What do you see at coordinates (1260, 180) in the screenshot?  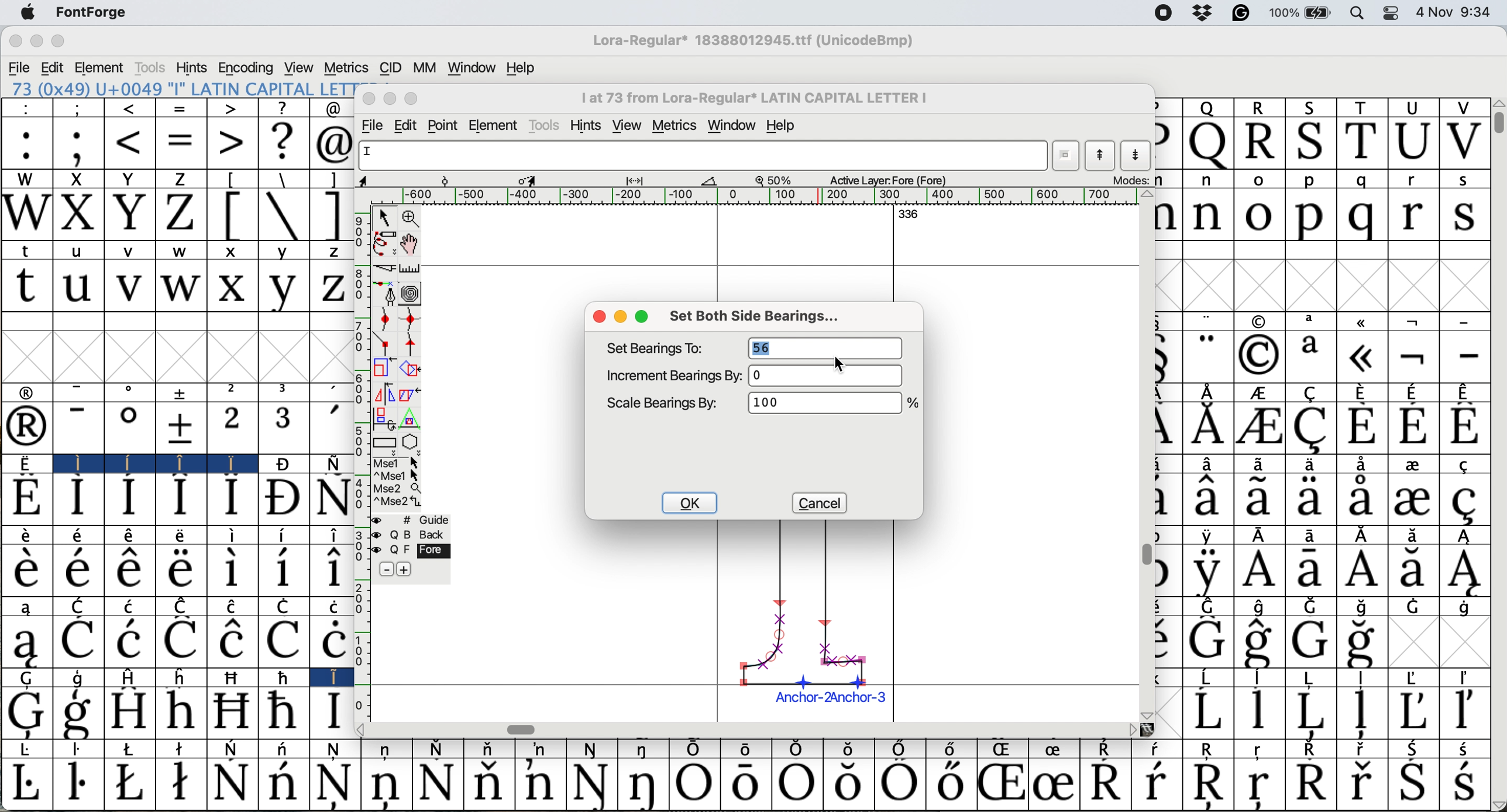 I see `o` at bounding box center [1260, 180].